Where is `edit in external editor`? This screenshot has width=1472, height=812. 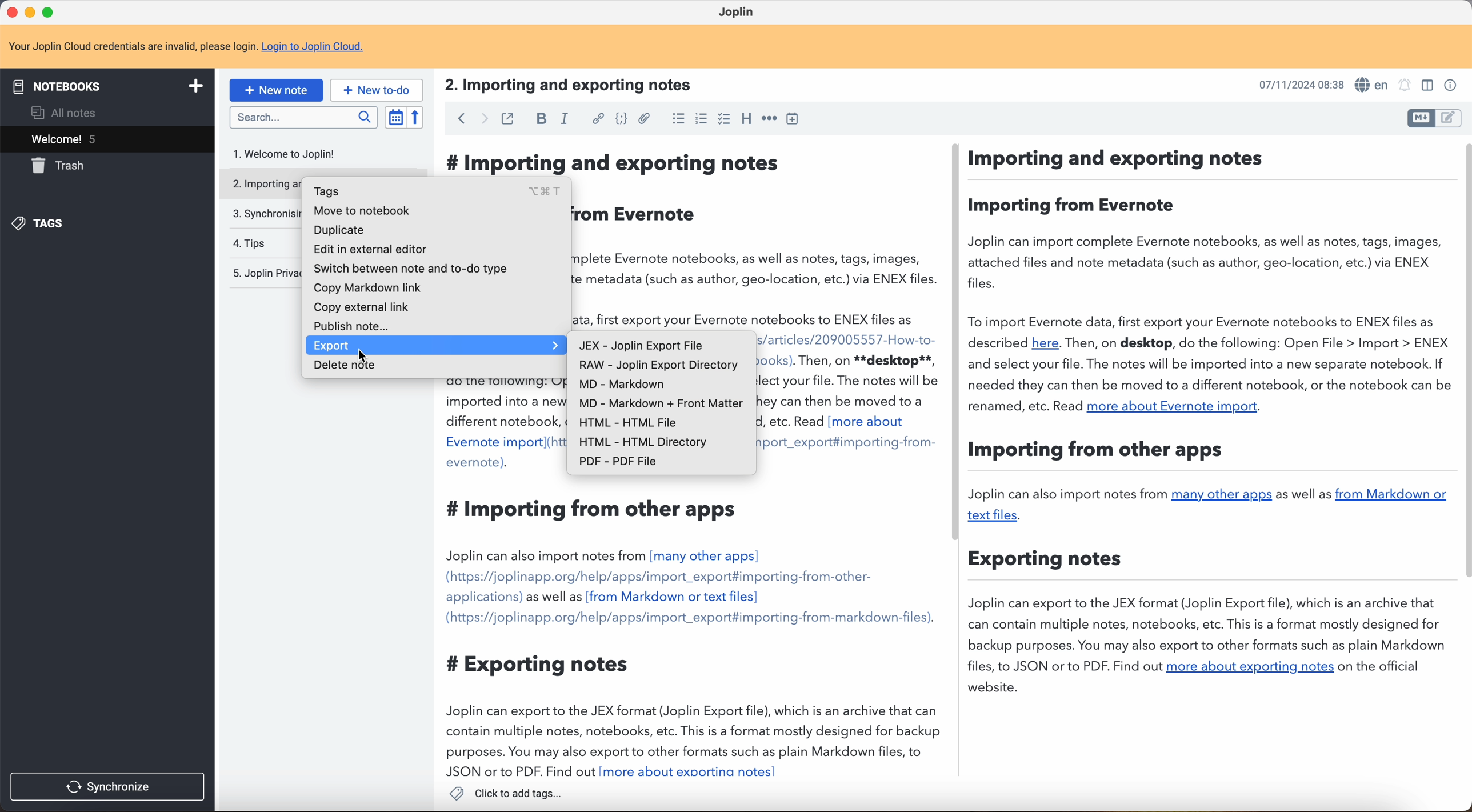 edit in external editor is located at coordinates (370, 250).